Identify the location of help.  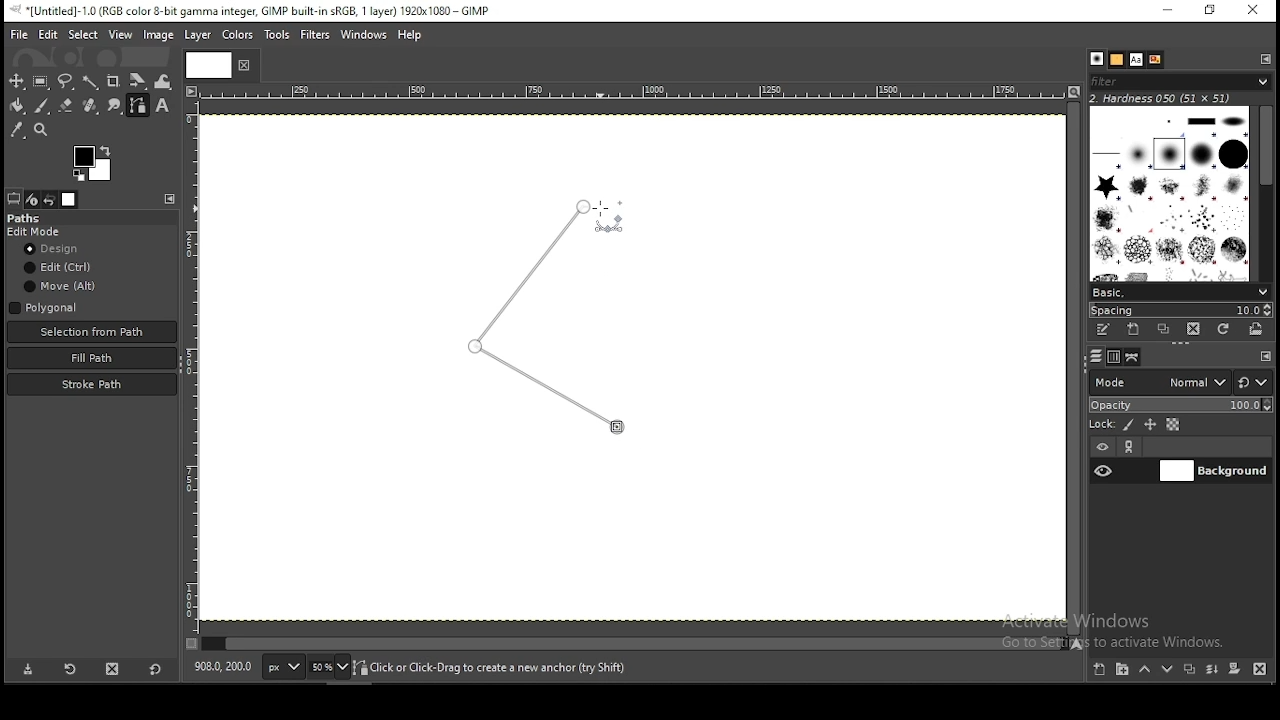
(412, 33).